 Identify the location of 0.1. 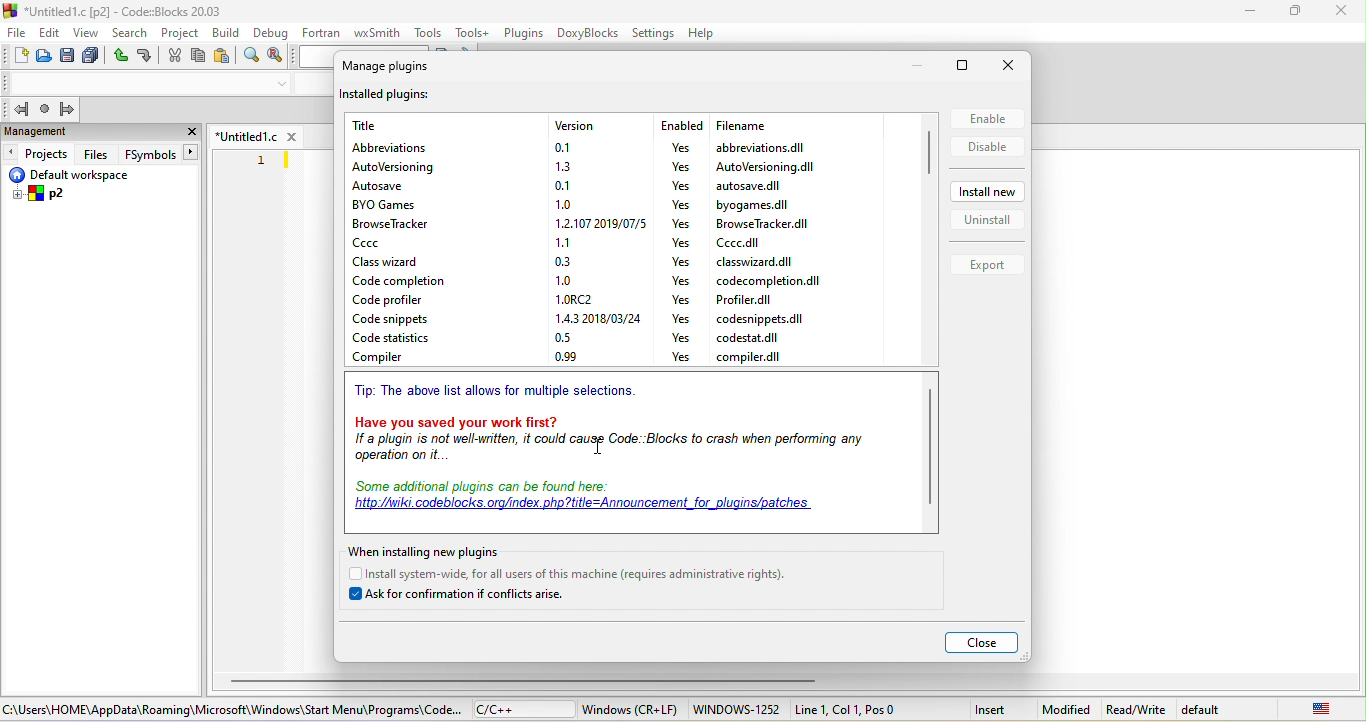
(563, 184).